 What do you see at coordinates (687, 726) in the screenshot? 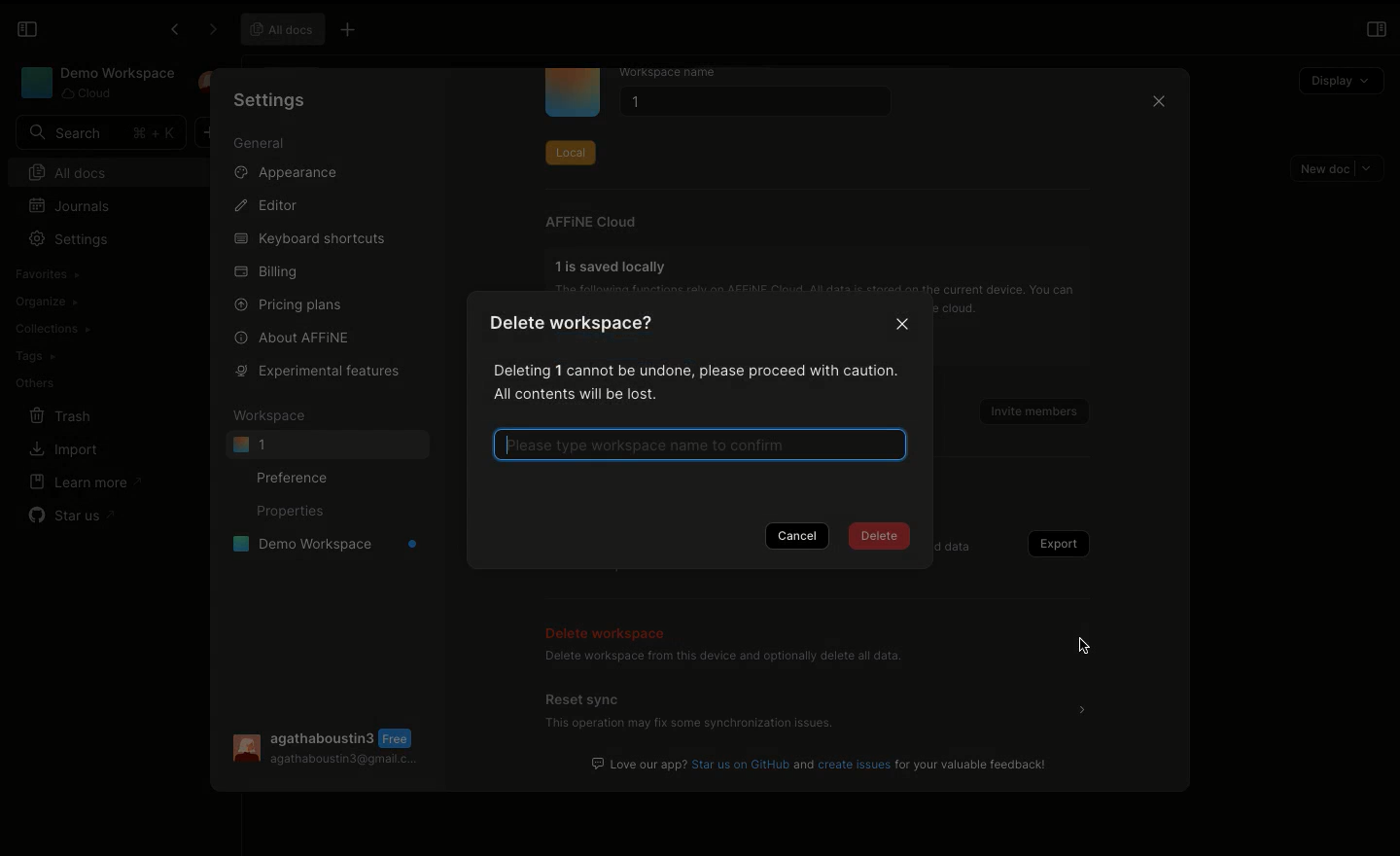
I see `Tis operation may Tix some Synchronization Issues.` at bounding box center [687, 726].